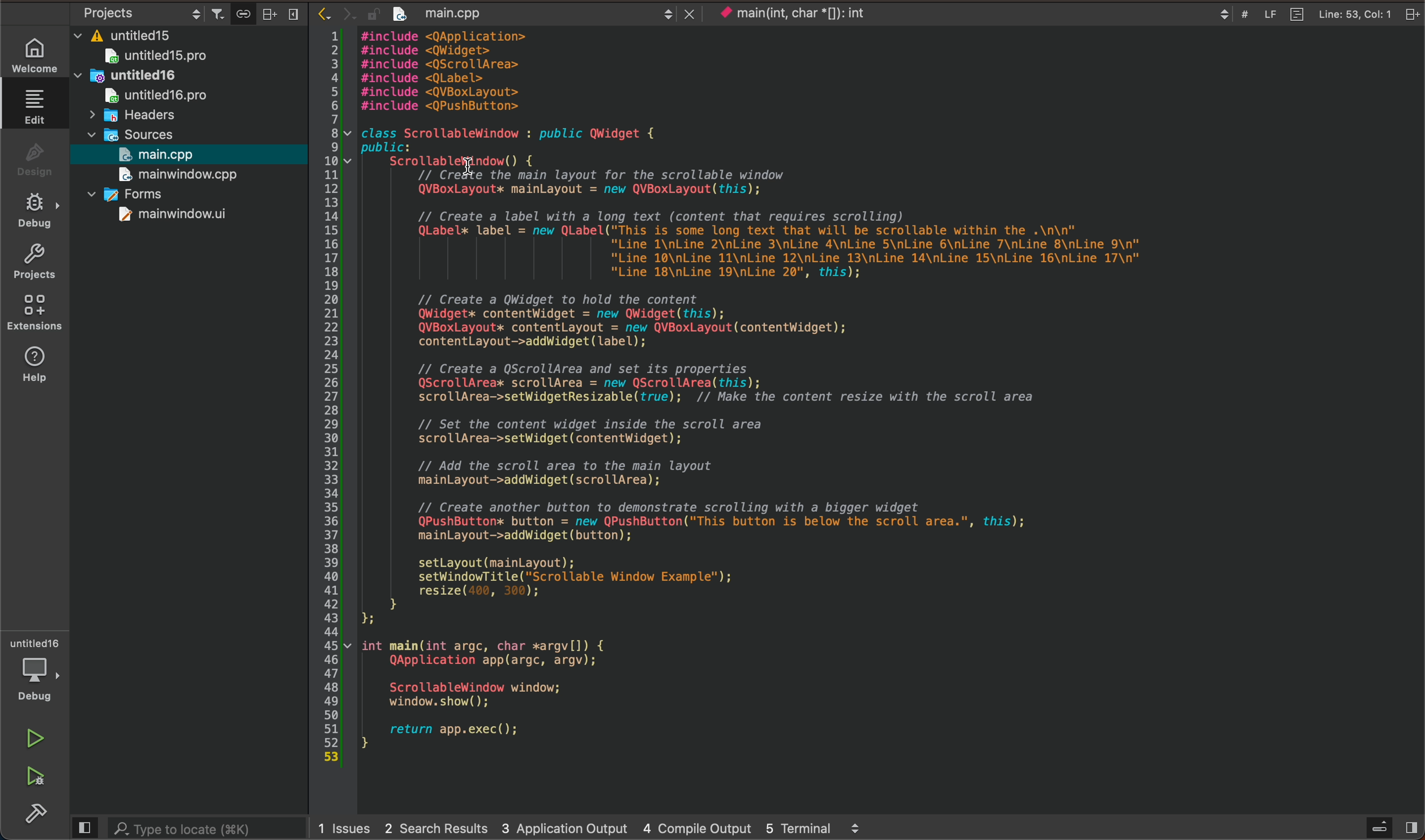 The width and height of the screenshot is (1425, 840). What do you see at coordinates (138, 14) in the screenshot?
I see `select project` at bounding box center [138, 14].